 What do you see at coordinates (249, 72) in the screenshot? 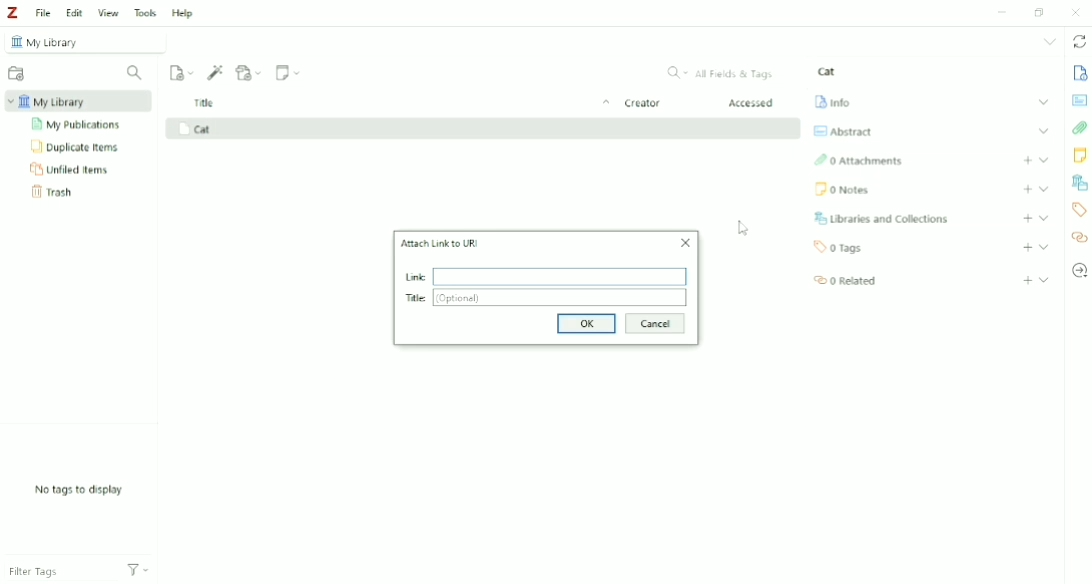
I see `Add Attachment` at bounding box center [249, 72].